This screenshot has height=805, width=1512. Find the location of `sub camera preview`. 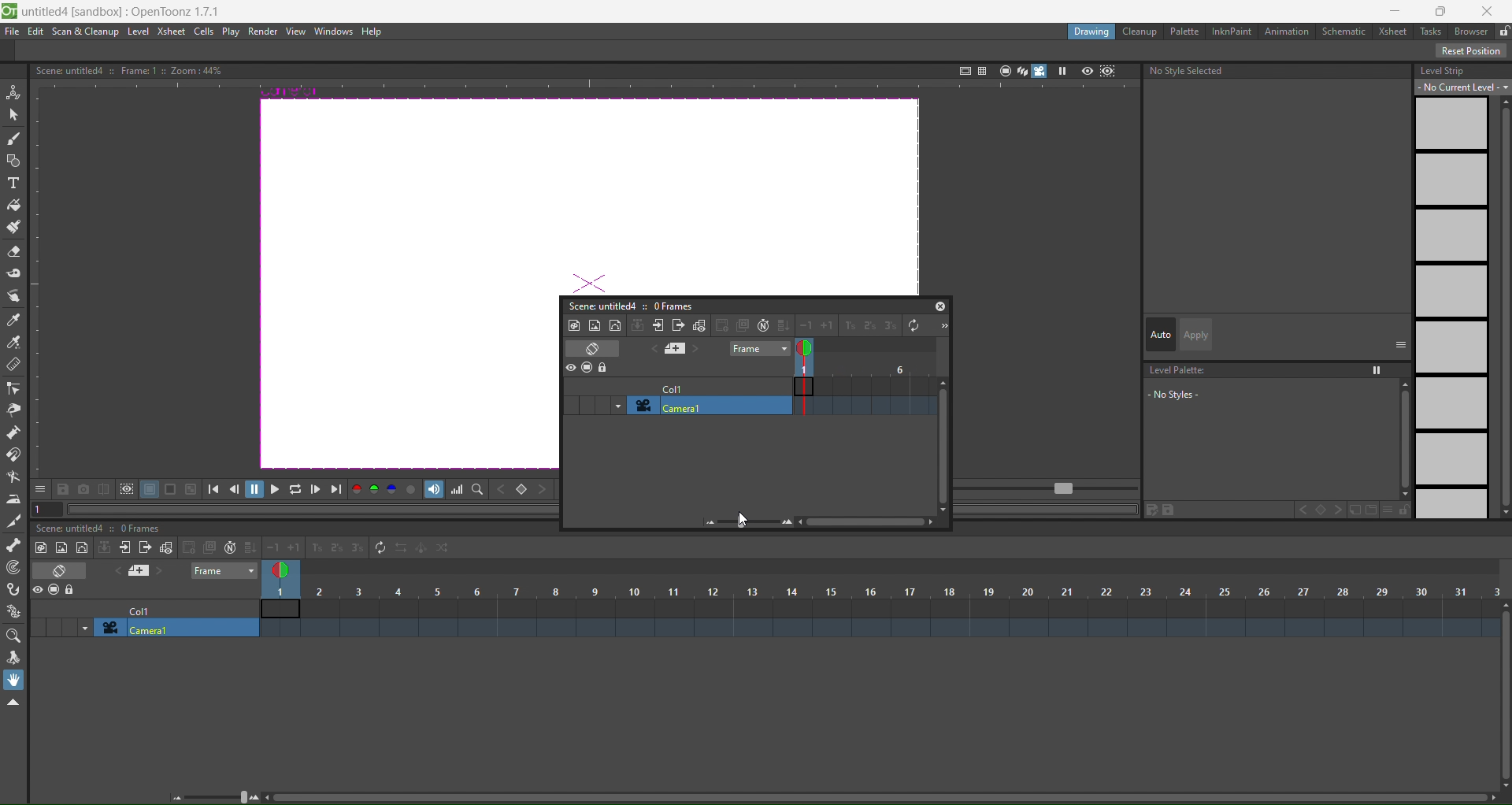

sub camera preview is located at coordinates (1108, 71).